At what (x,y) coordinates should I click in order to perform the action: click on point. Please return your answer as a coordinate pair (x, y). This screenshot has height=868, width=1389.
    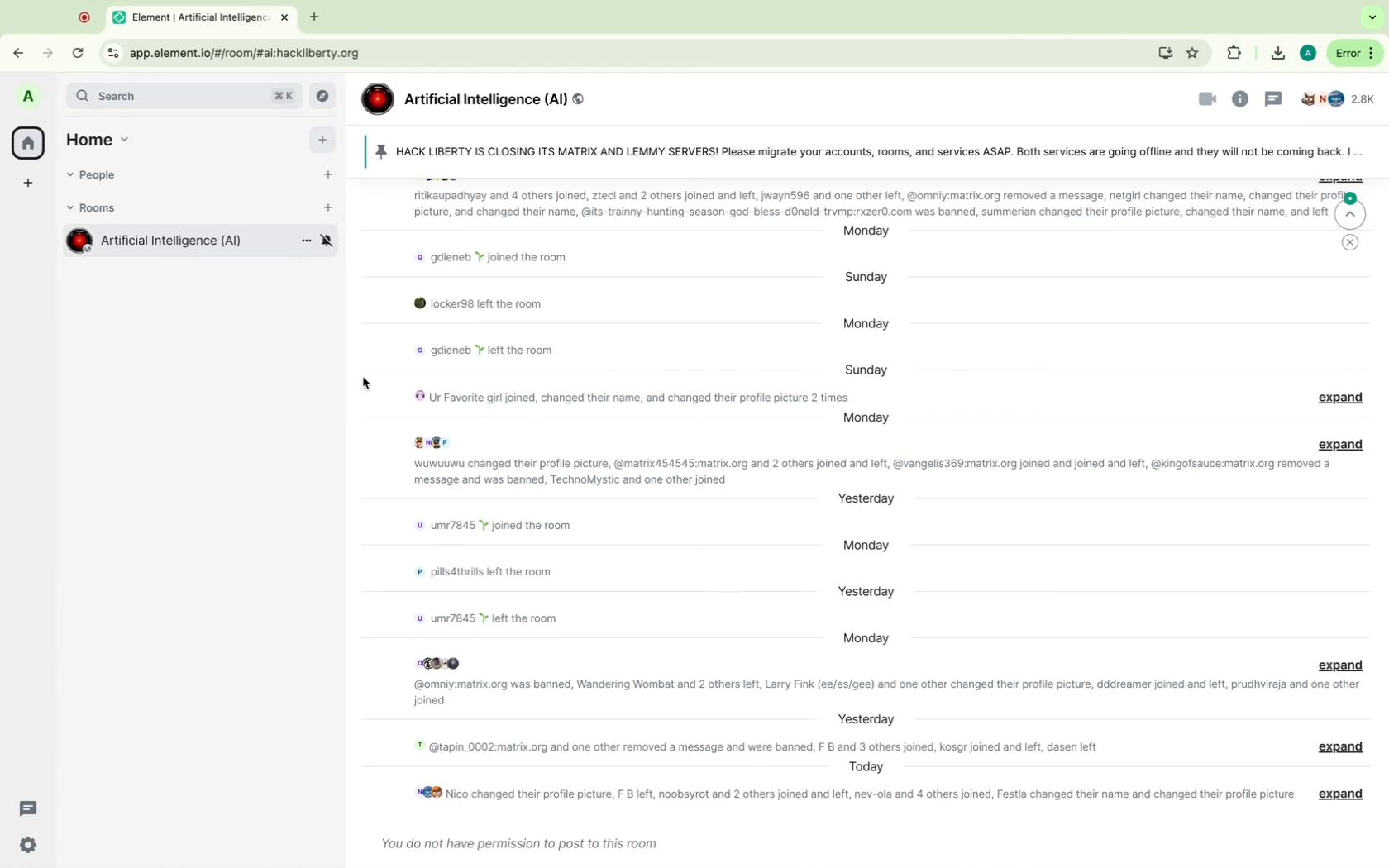
    Looking at the image, I should click on (84, 16).